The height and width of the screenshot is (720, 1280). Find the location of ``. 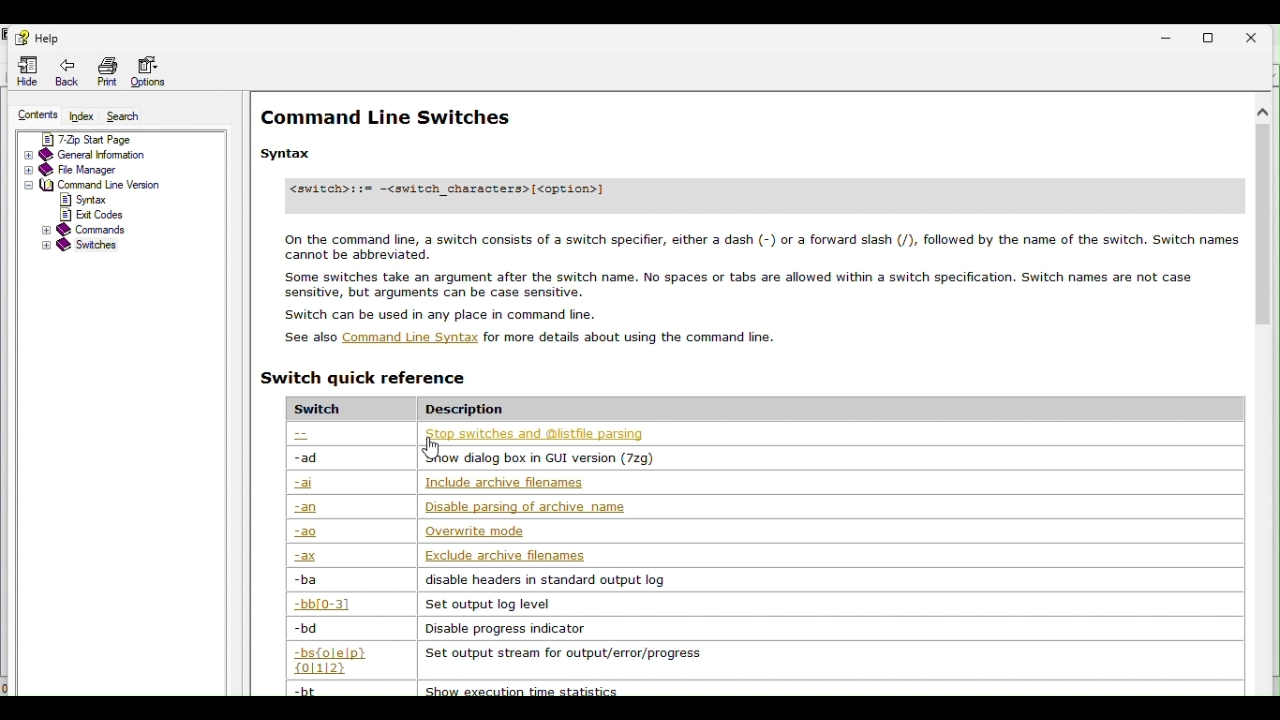

 is located at coordinates (91, 200).